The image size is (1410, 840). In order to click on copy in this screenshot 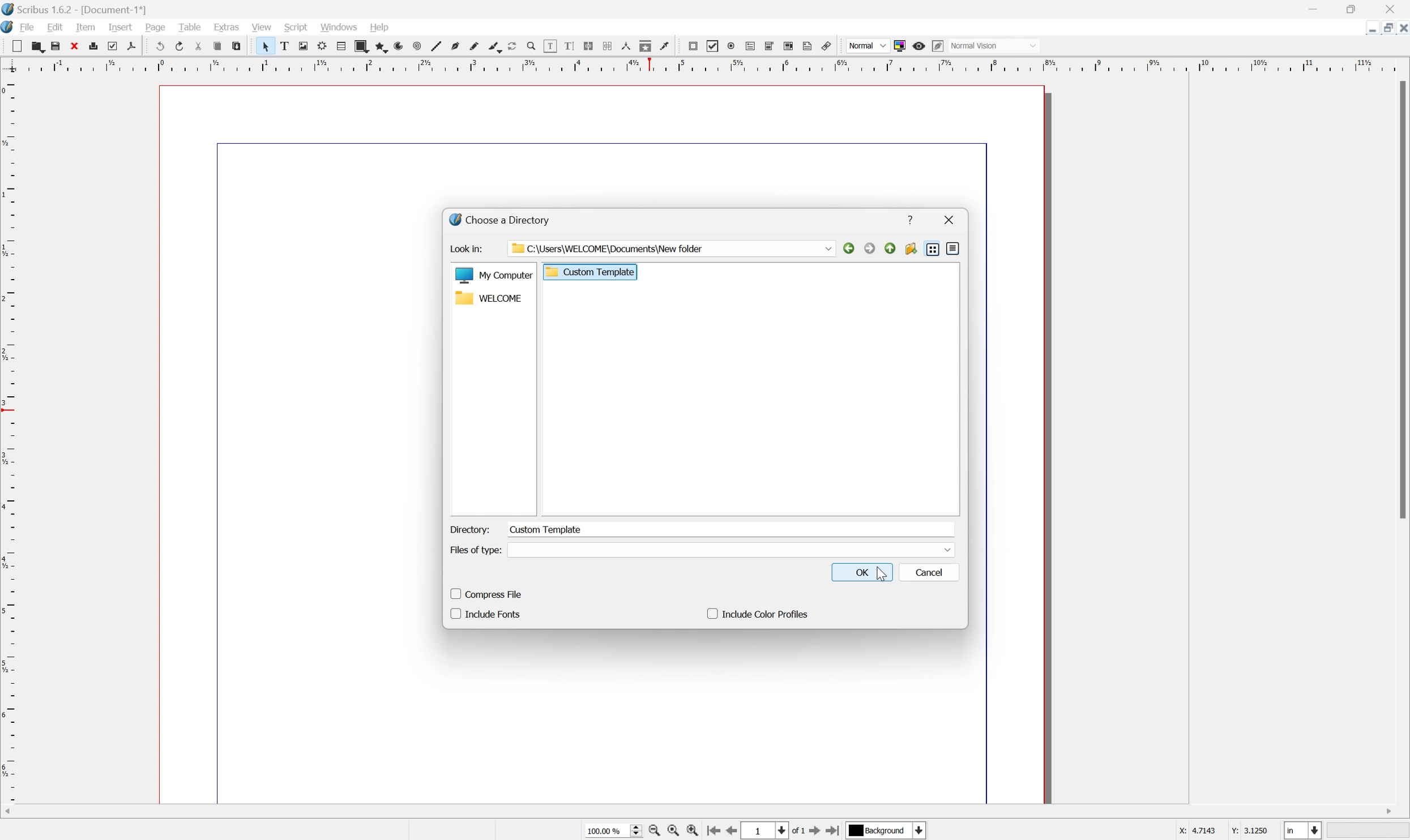, I will do `click(218, 46)`.